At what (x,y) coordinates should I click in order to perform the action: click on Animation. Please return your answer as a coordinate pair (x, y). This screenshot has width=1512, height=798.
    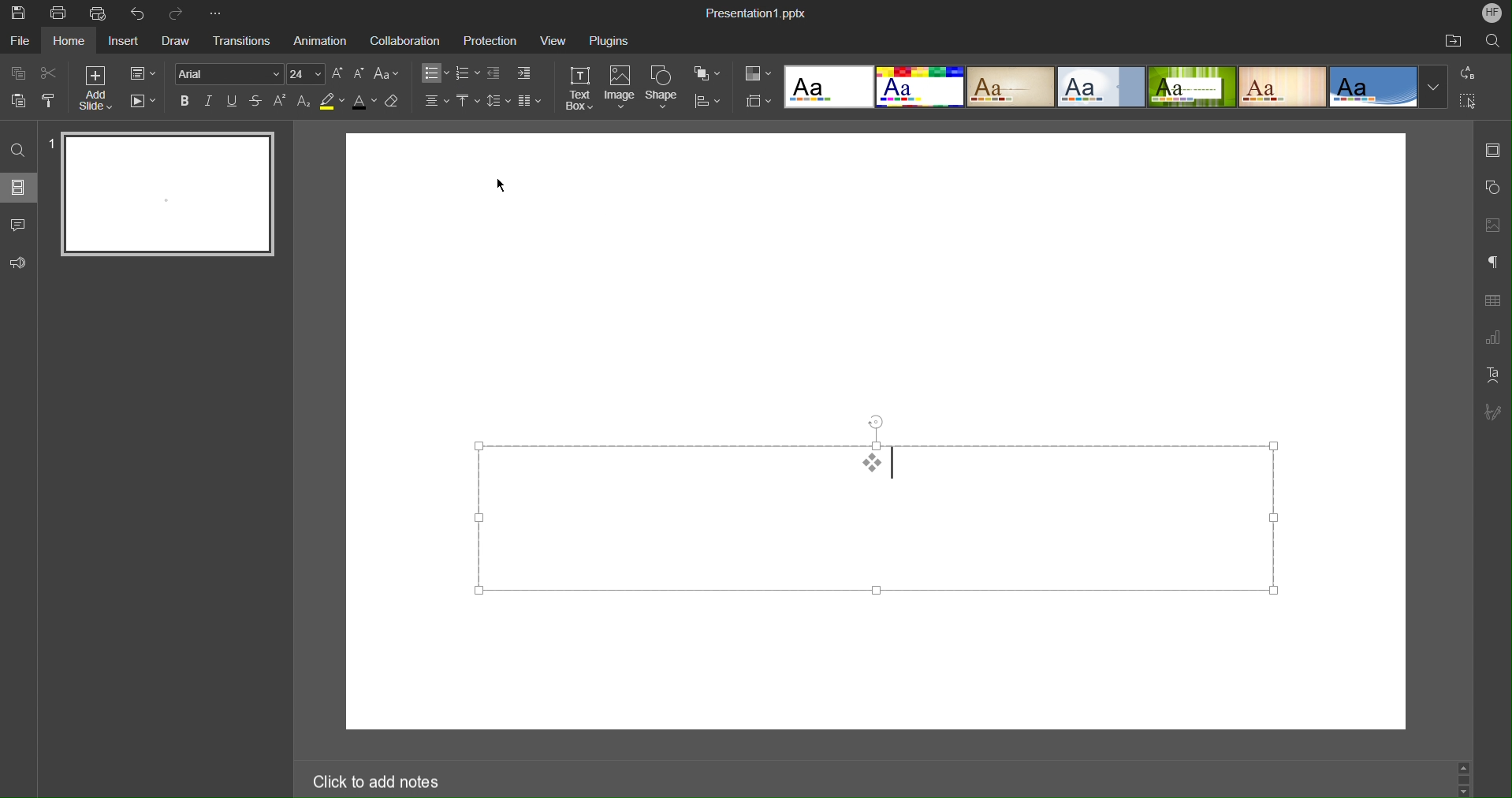
    Looking at the image, I should click on (318, 41).